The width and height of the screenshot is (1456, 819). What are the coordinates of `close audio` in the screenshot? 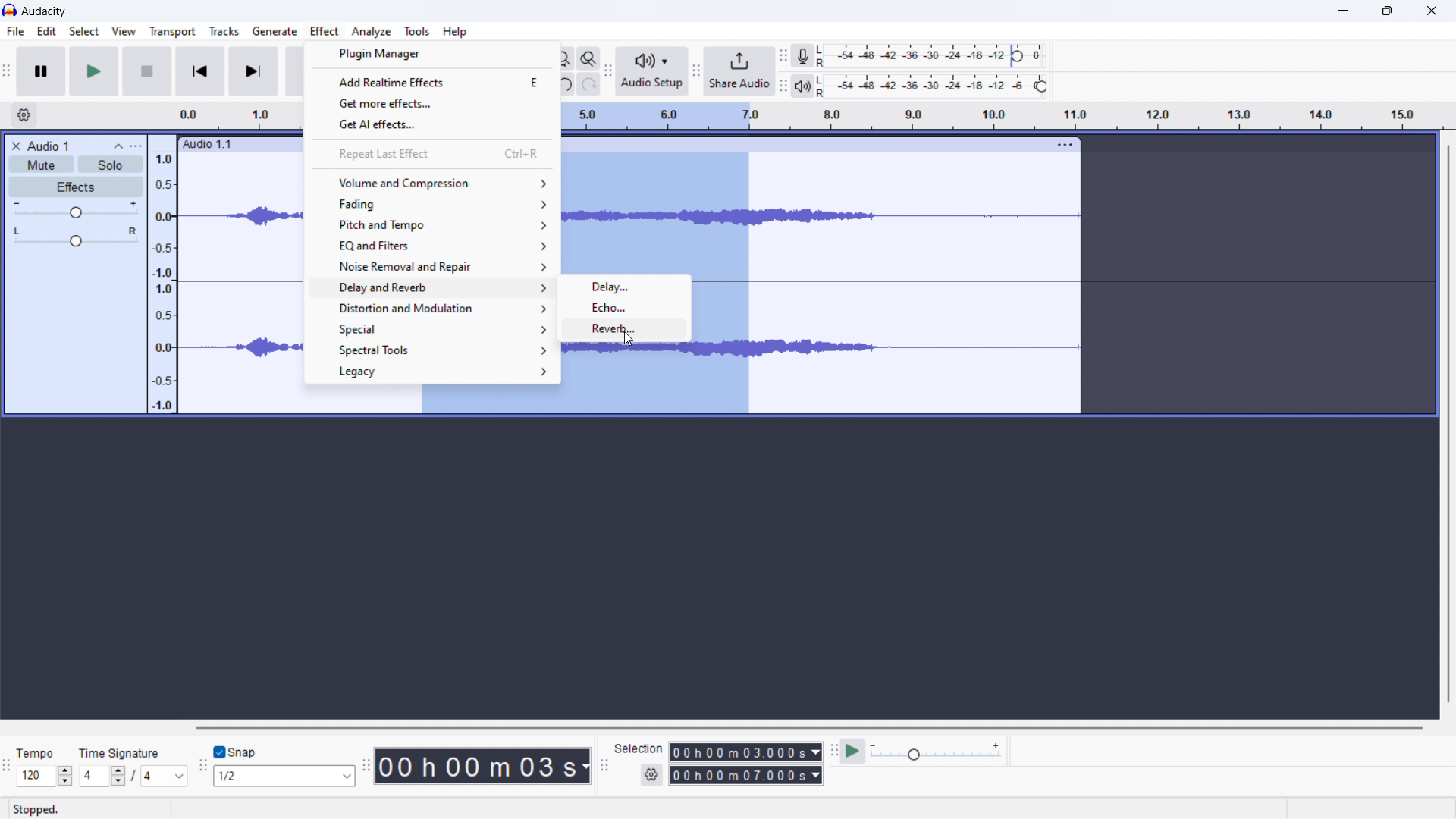 It's located at (14, 144).